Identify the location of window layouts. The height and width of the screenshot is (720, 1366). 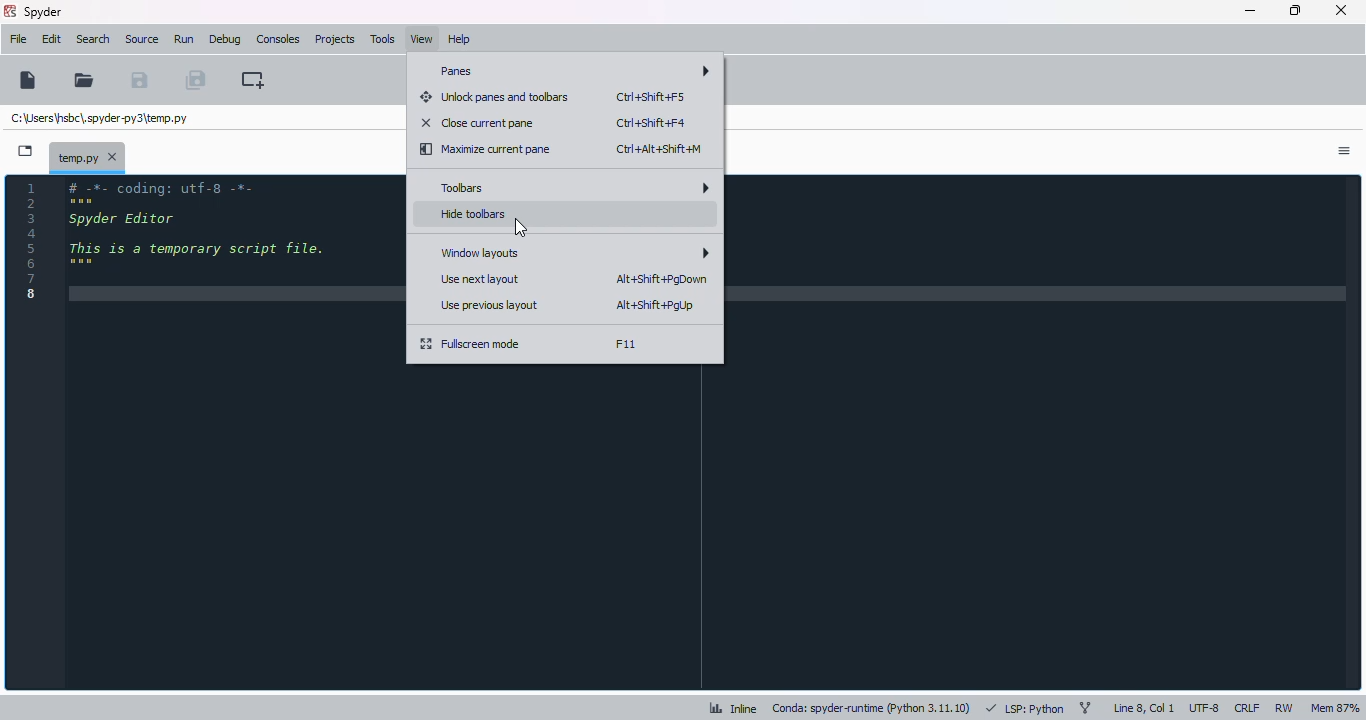
(574, 253).